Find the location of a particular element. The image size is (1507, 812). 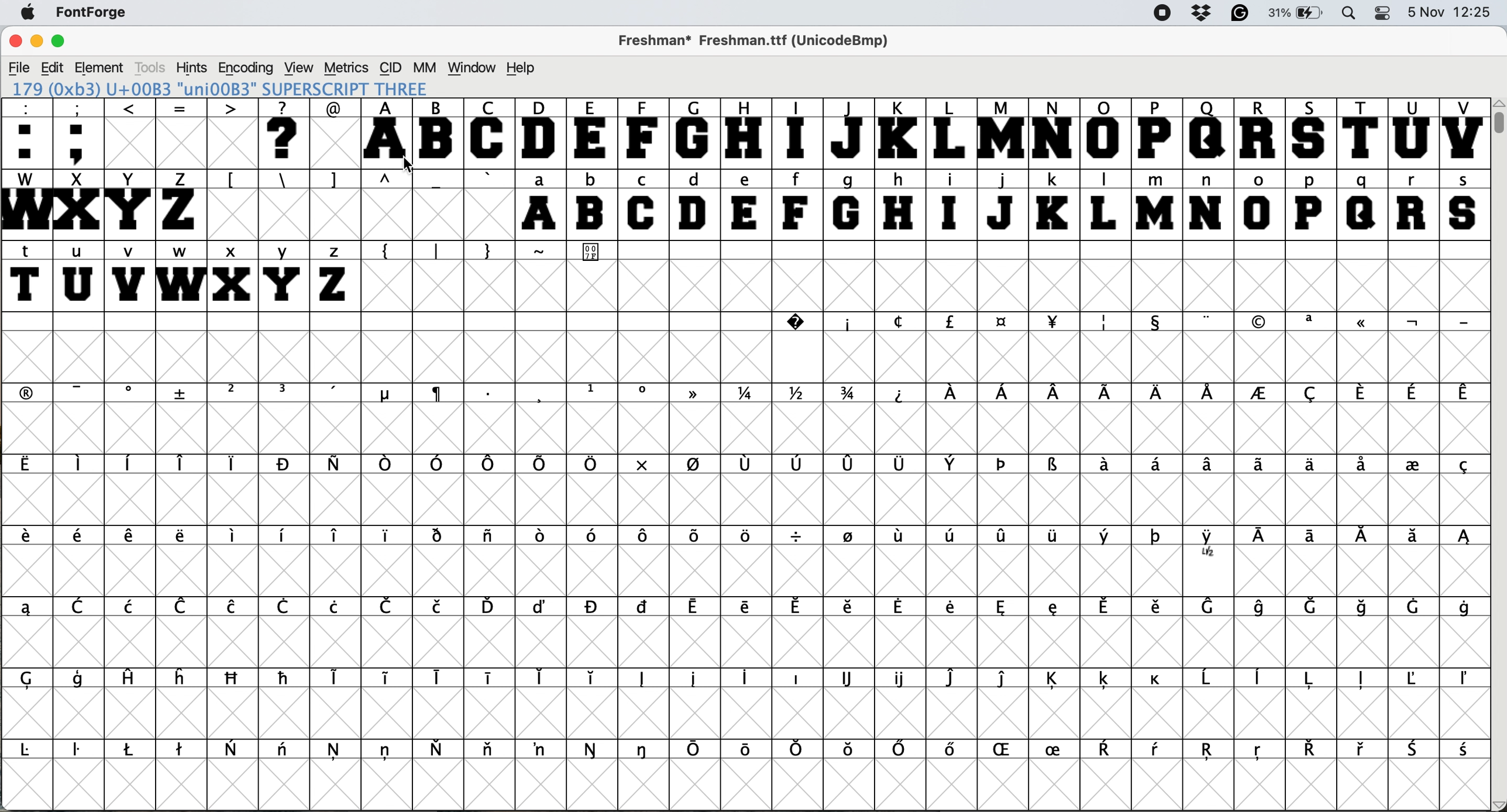

symbol is located at coordinates (955, 752).